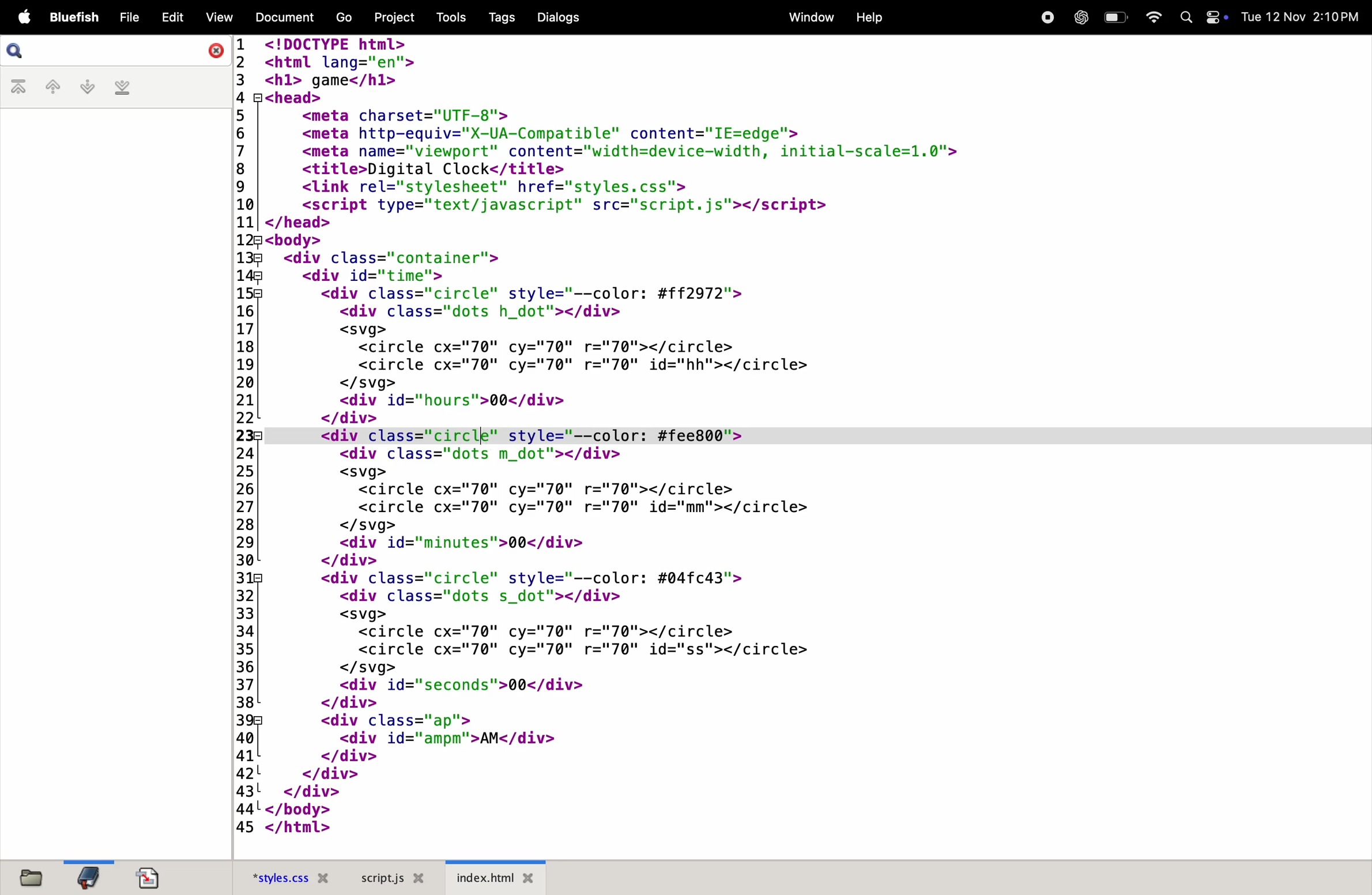  What do you see at coordinates (1114, 18) in the screenshot?
I see `battery` at bounding box center [1114, 18].